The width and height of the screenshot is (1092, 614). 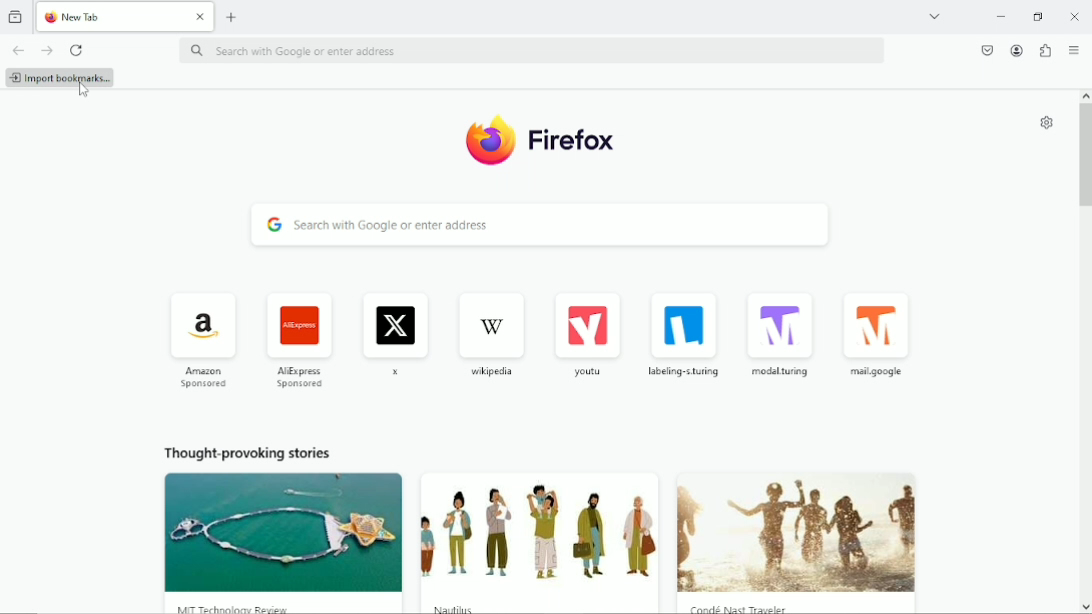 What do you see at coordinates (235, 17) in the screenshot?
I see `New tab` at bounding box center [235, 17].